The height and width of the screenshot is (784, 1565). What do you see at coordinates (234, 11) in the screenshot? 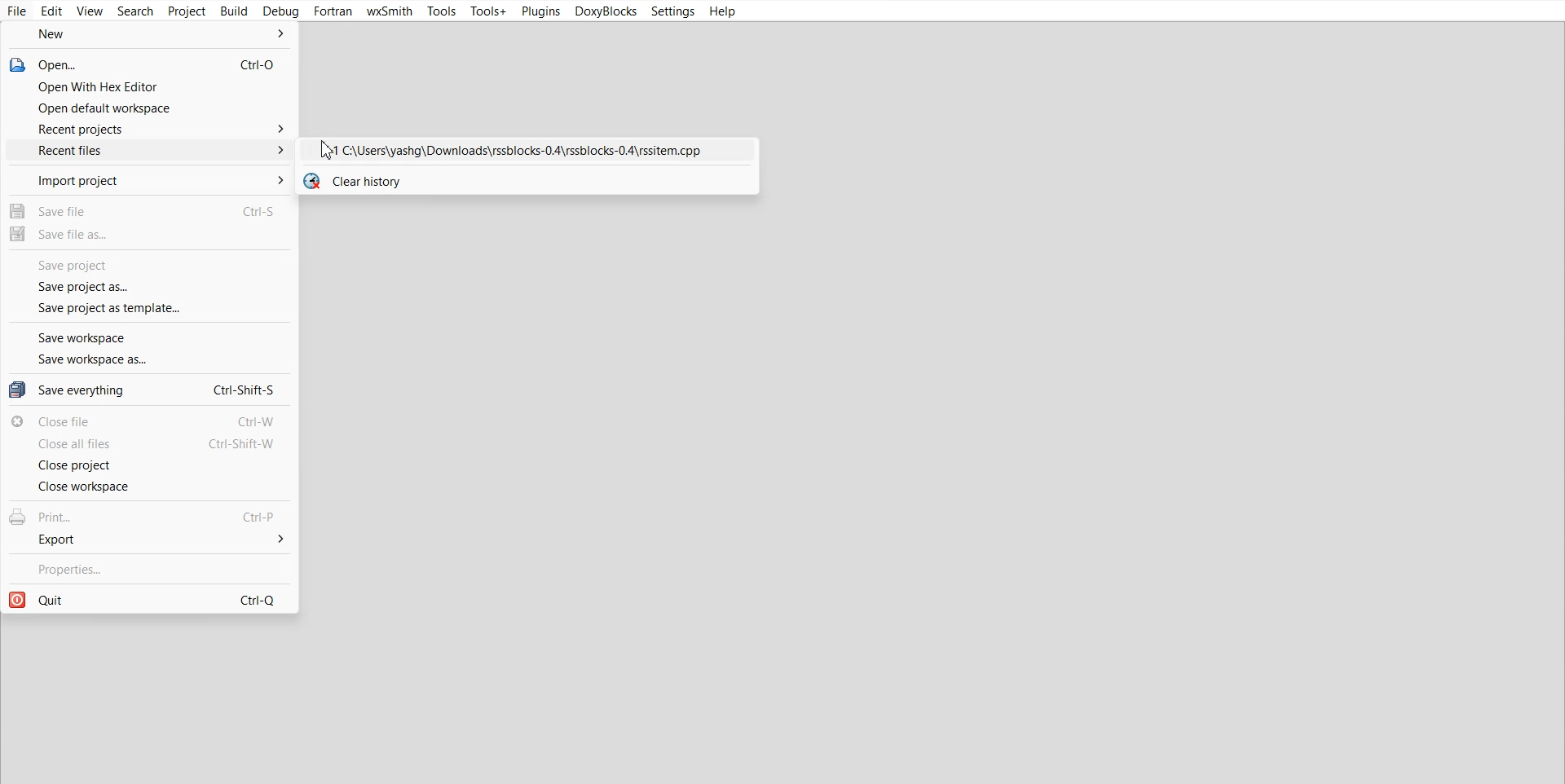
I see `Build` at bounding box center [234, 11].